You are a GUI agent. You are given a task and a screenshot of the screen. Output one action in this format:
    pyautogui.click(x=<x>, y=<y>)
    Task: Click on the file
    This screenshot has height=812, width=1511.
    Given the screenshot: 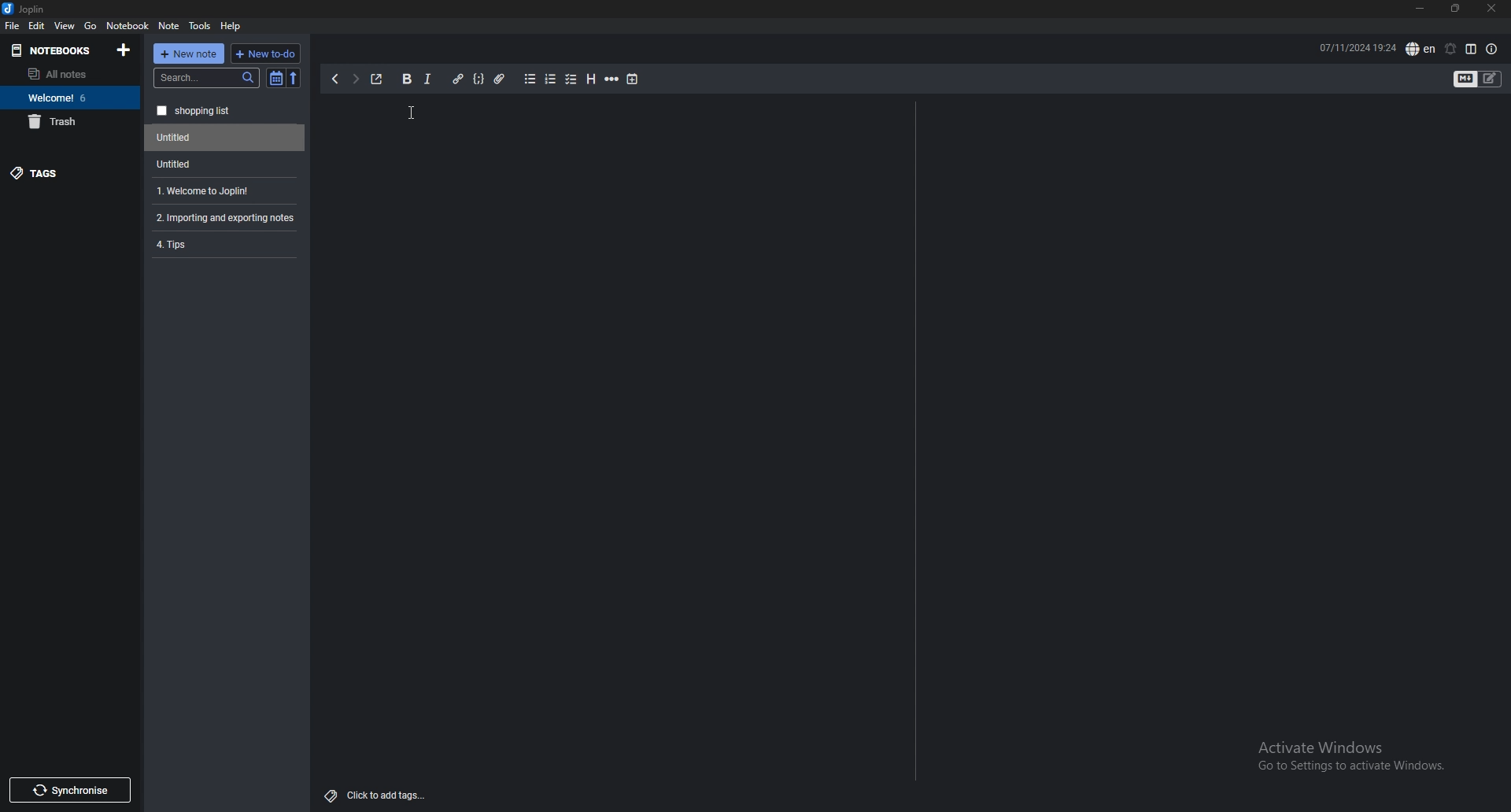 What is the action you would take?
    pyautogui.click(x=12, y=25)
    